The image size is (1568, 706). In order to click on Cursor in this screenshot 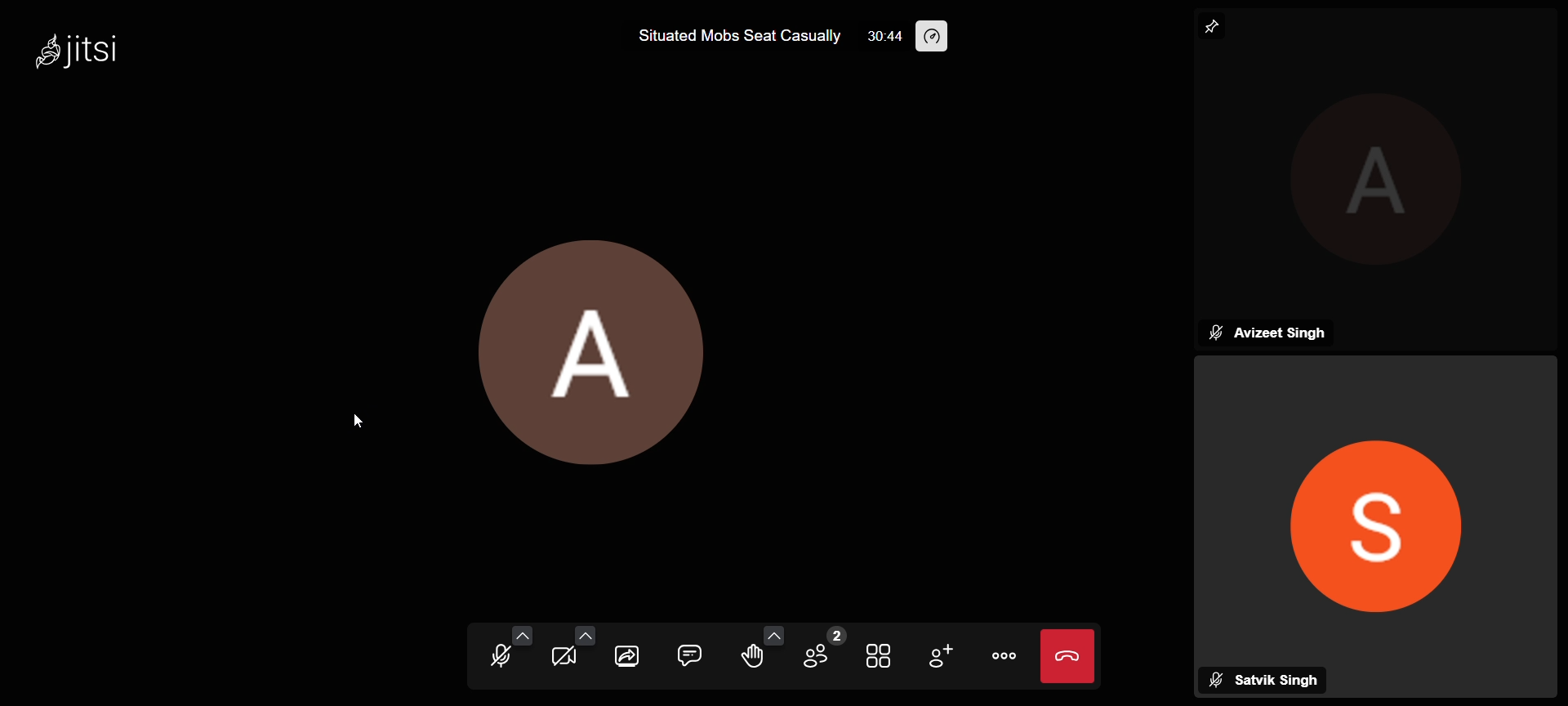, I will do `click(361, 423)`.